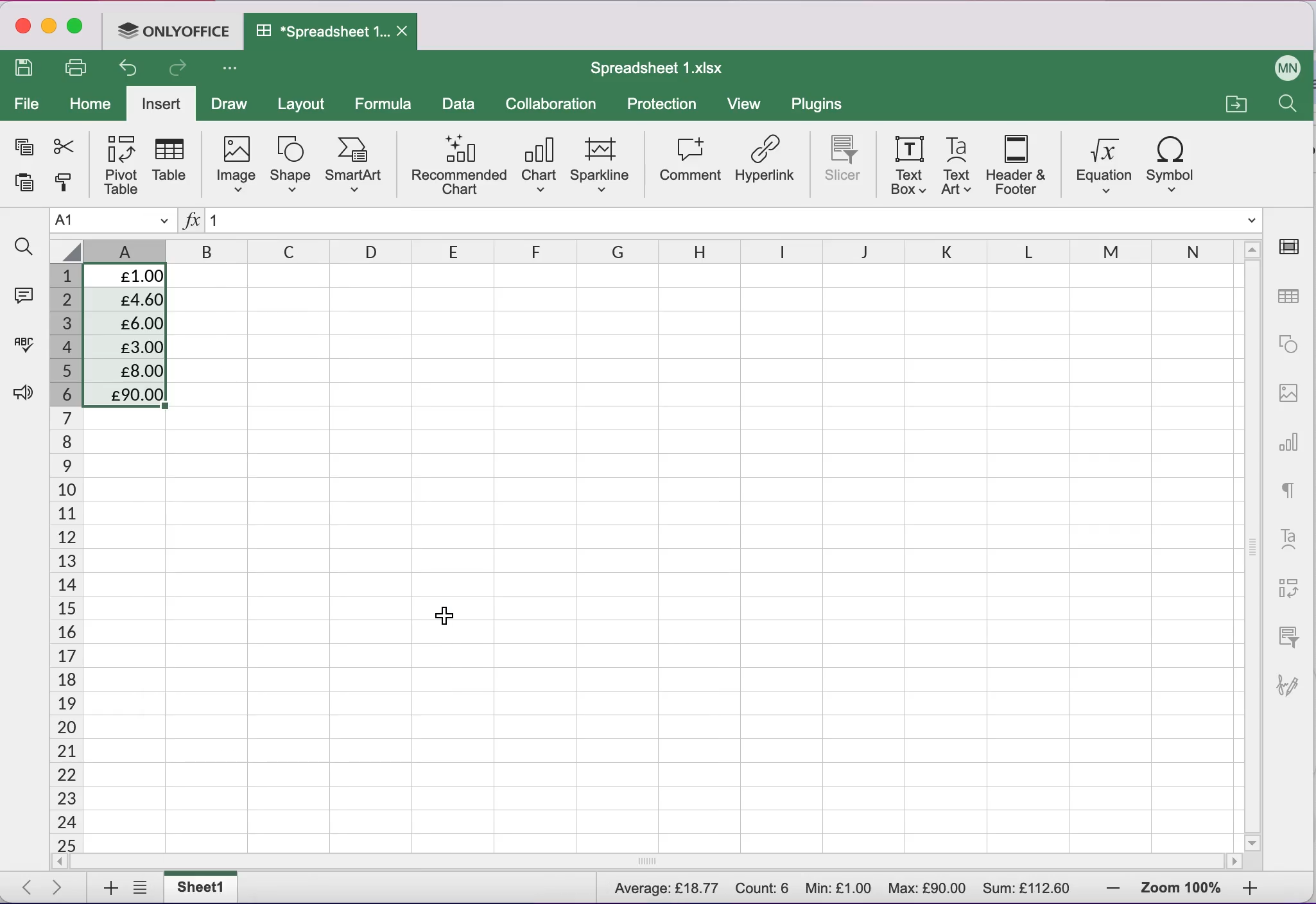 The width and height of the screenshot is (1316, 904). What do you see at coordinates (24, 185) in the screenshot?
I see `paste` at bounding box center [24, 185].